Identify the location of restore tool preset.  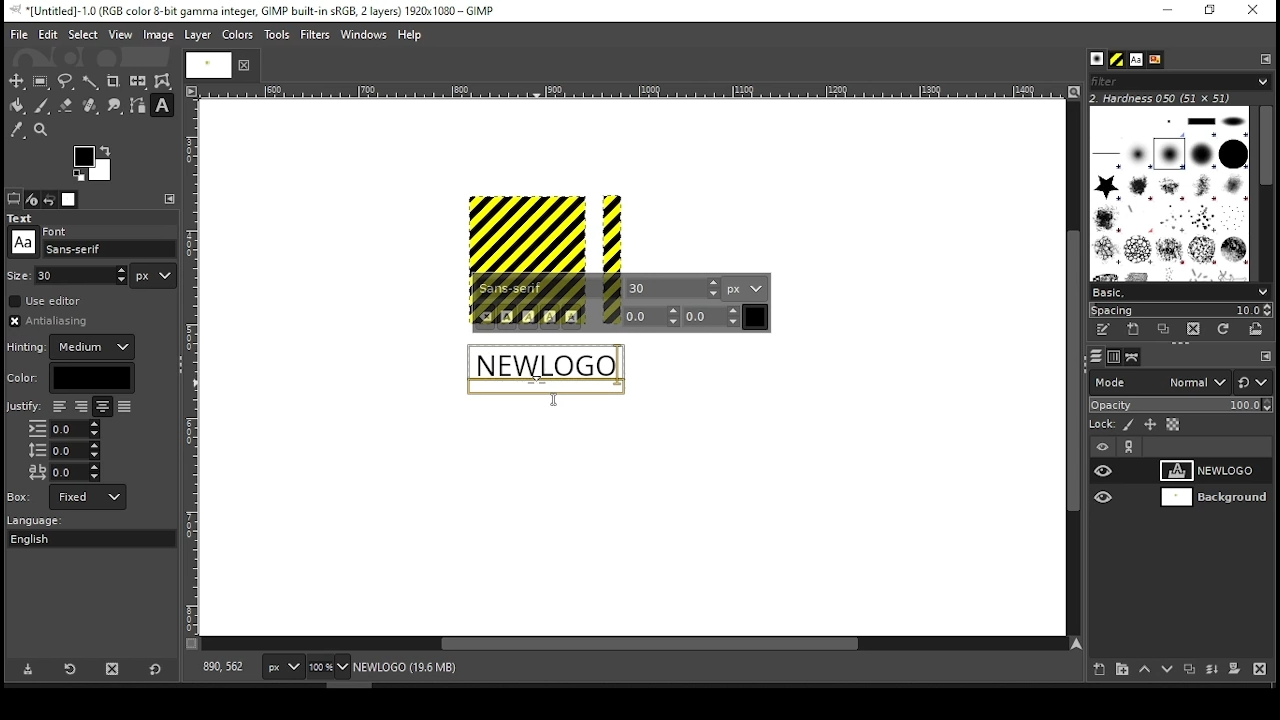
(72, 667).